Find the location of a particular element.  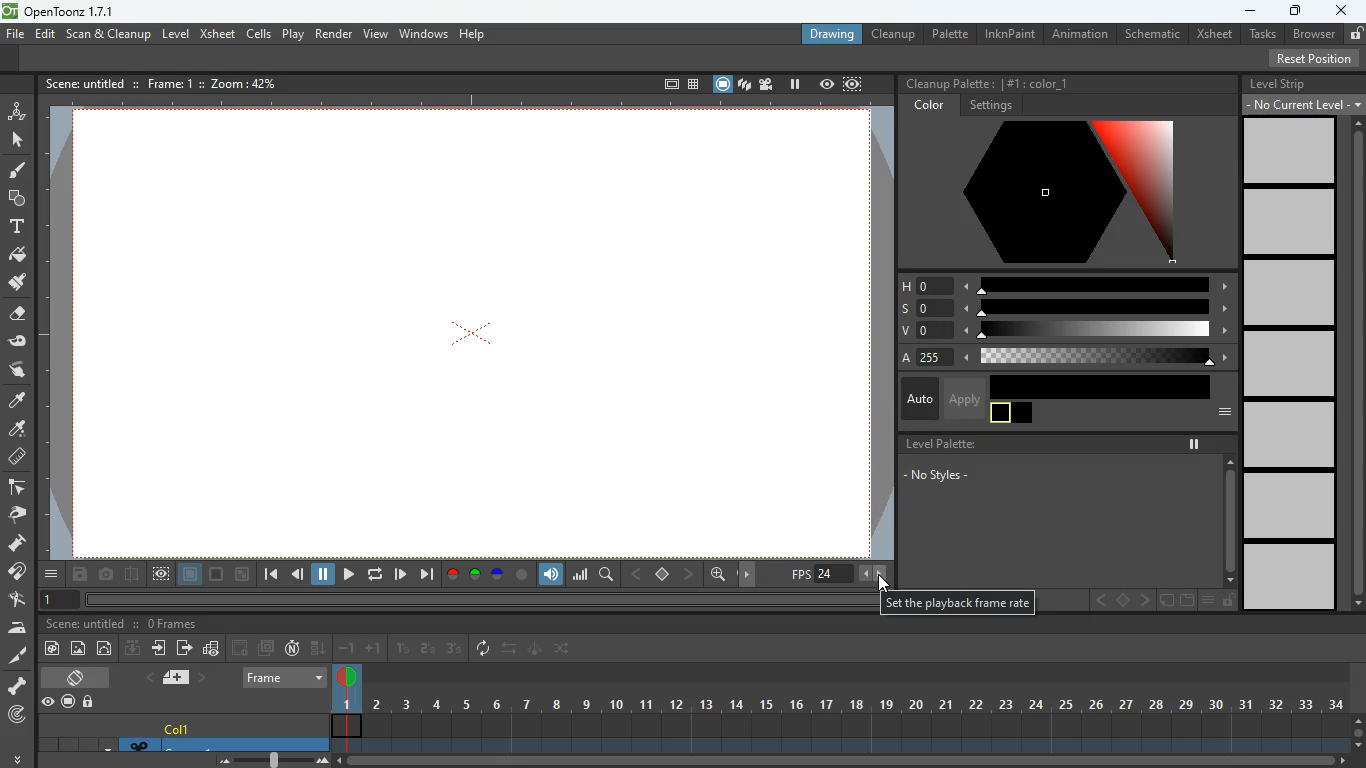

frame is located at coordinates (661, 83).